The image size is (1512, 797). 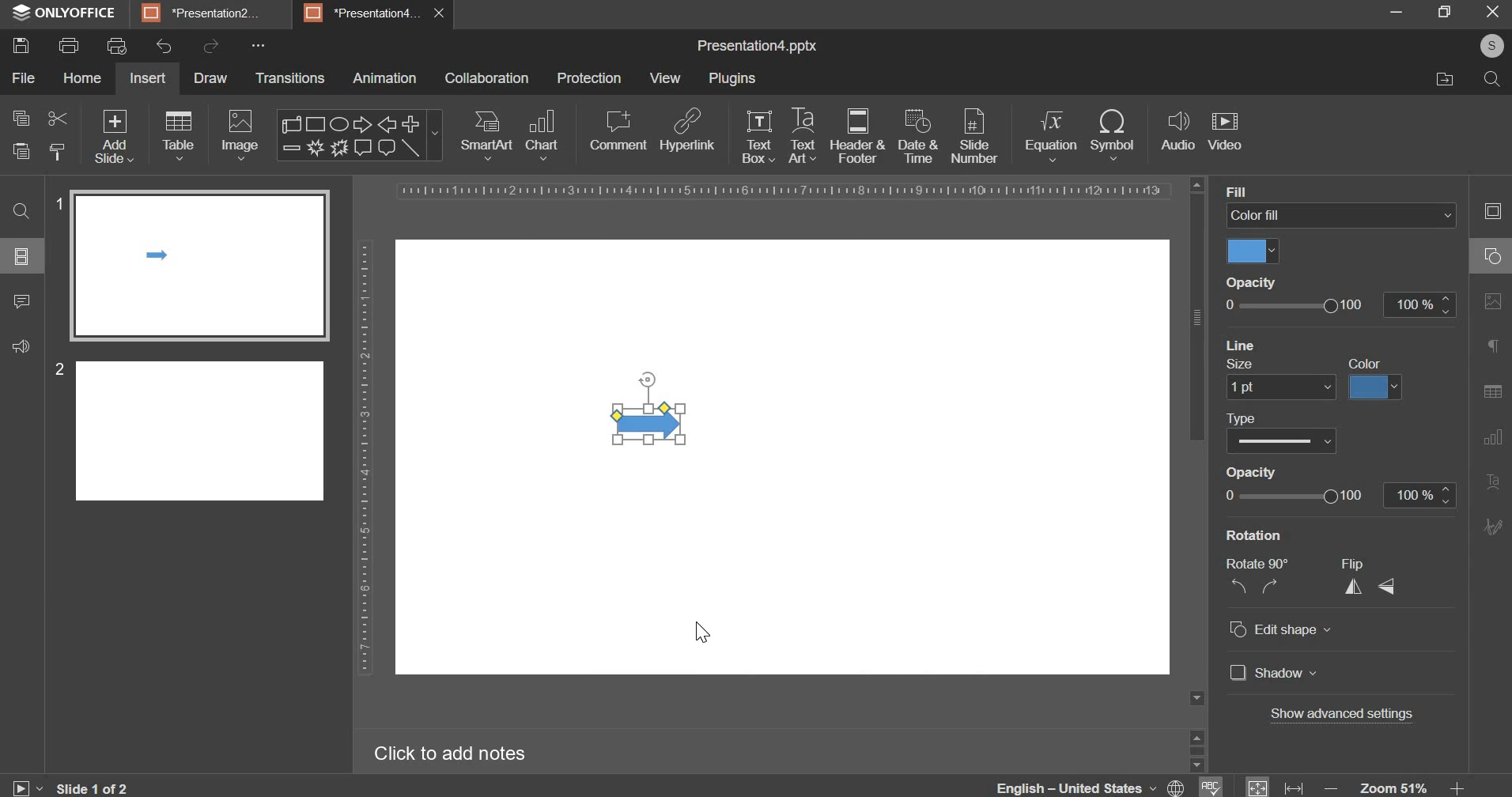 What do you see at coordinates (617, 131) in the screenshot?
I see `comment` at bounding box center [617, 131].